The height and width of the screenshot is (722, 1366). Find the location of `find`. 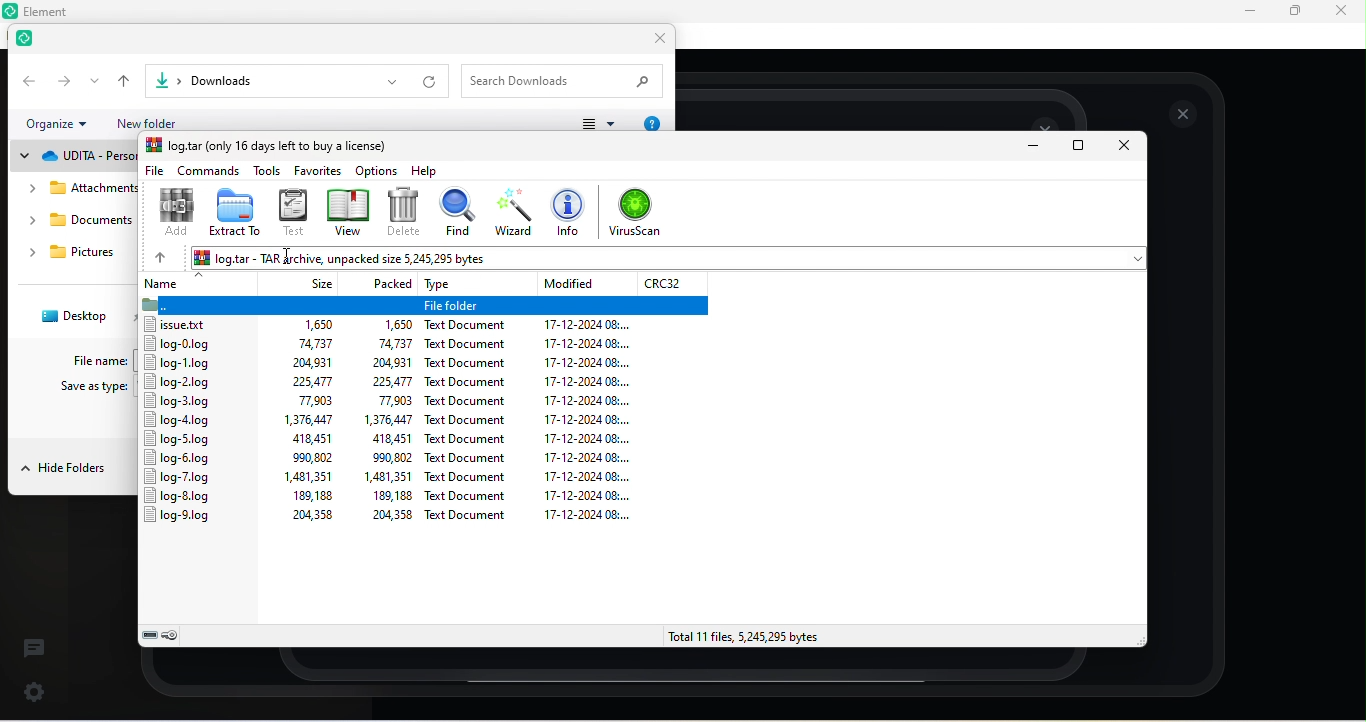

find is located at coordinates (453, 213).